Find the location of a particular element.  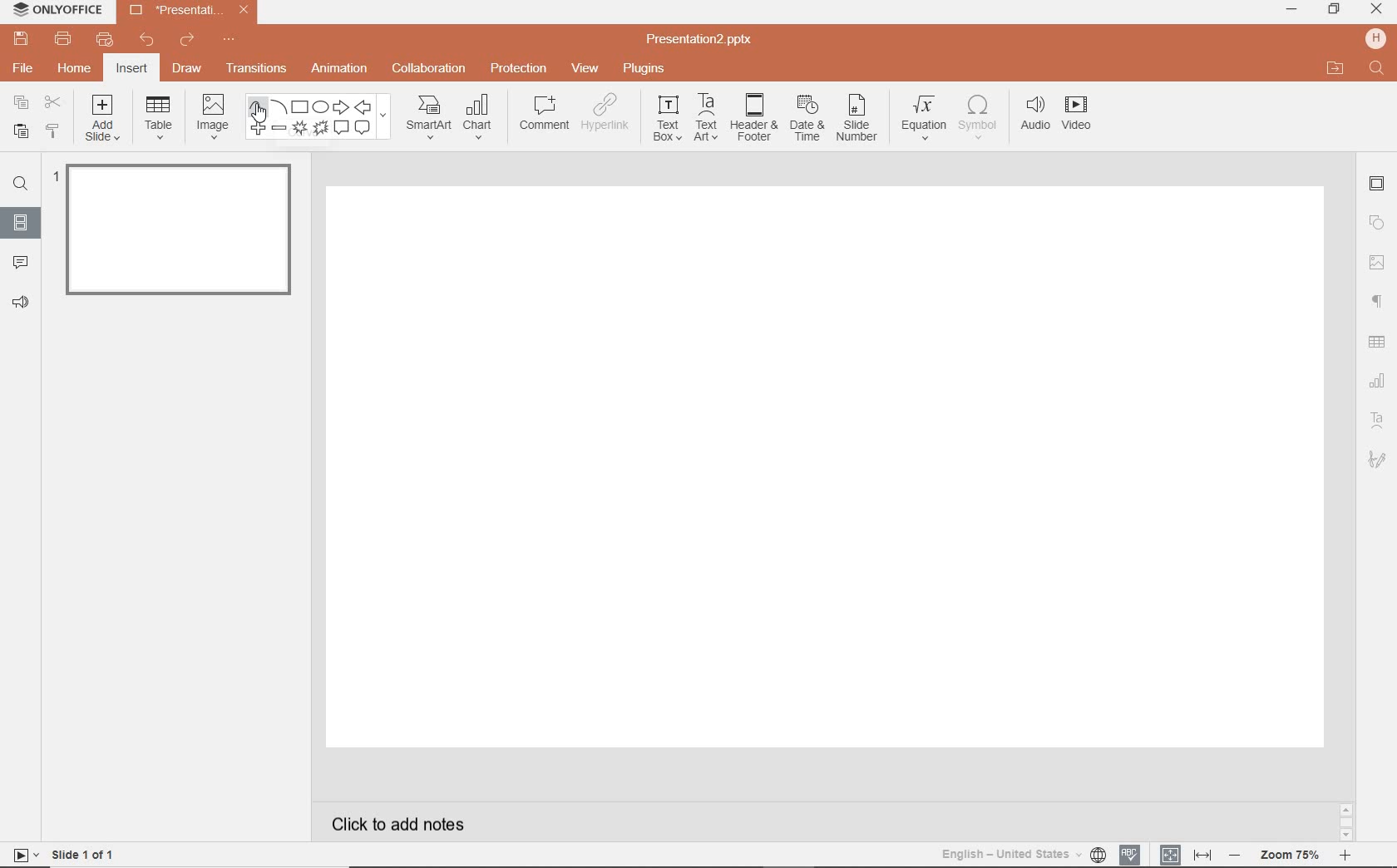

TEXT ART SETTINGS is located at coordinates (1379, 421).